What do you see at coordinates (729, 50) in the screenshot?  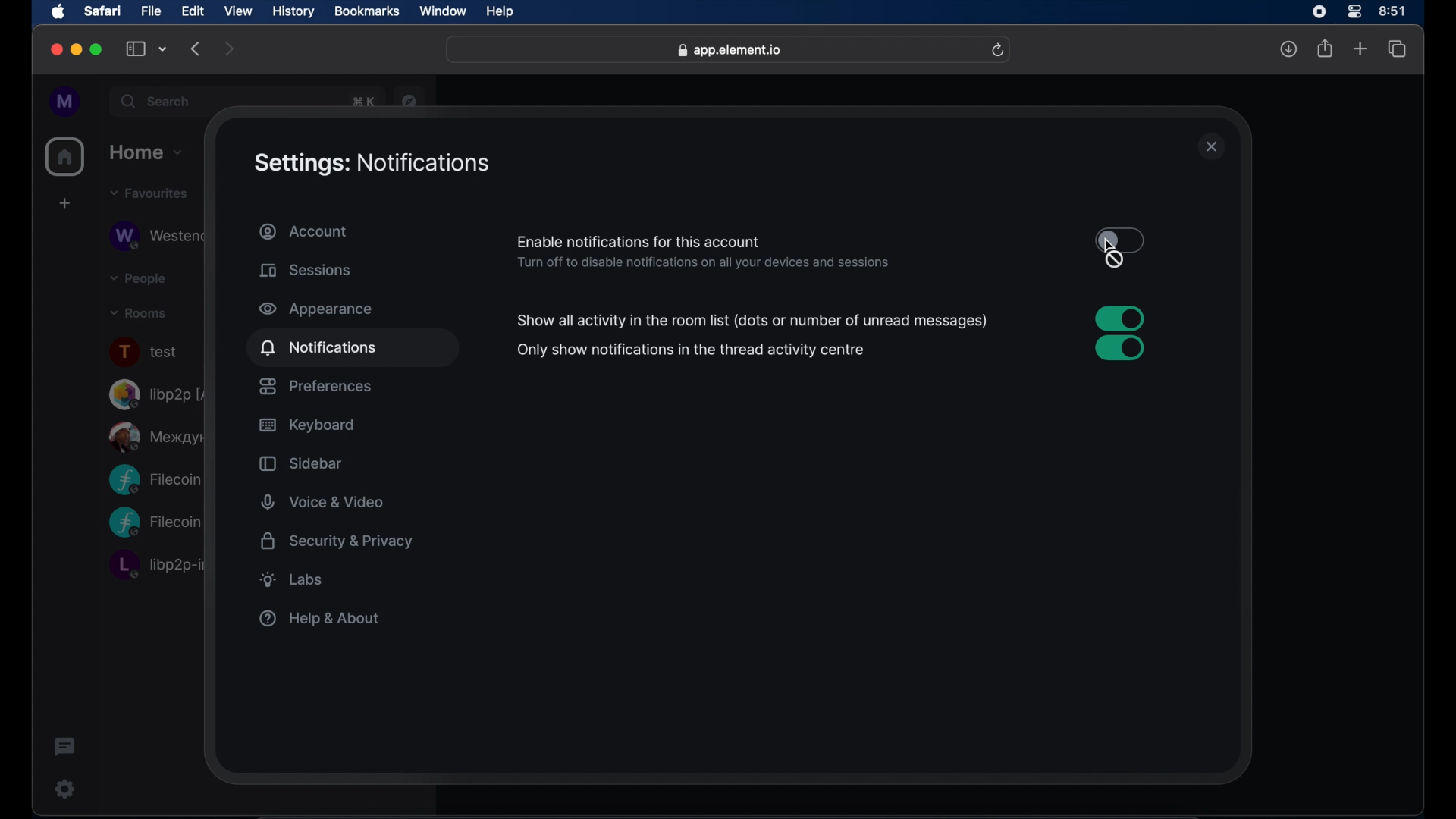 I see `web address- app.element.io` at bounding box center [729, 50].